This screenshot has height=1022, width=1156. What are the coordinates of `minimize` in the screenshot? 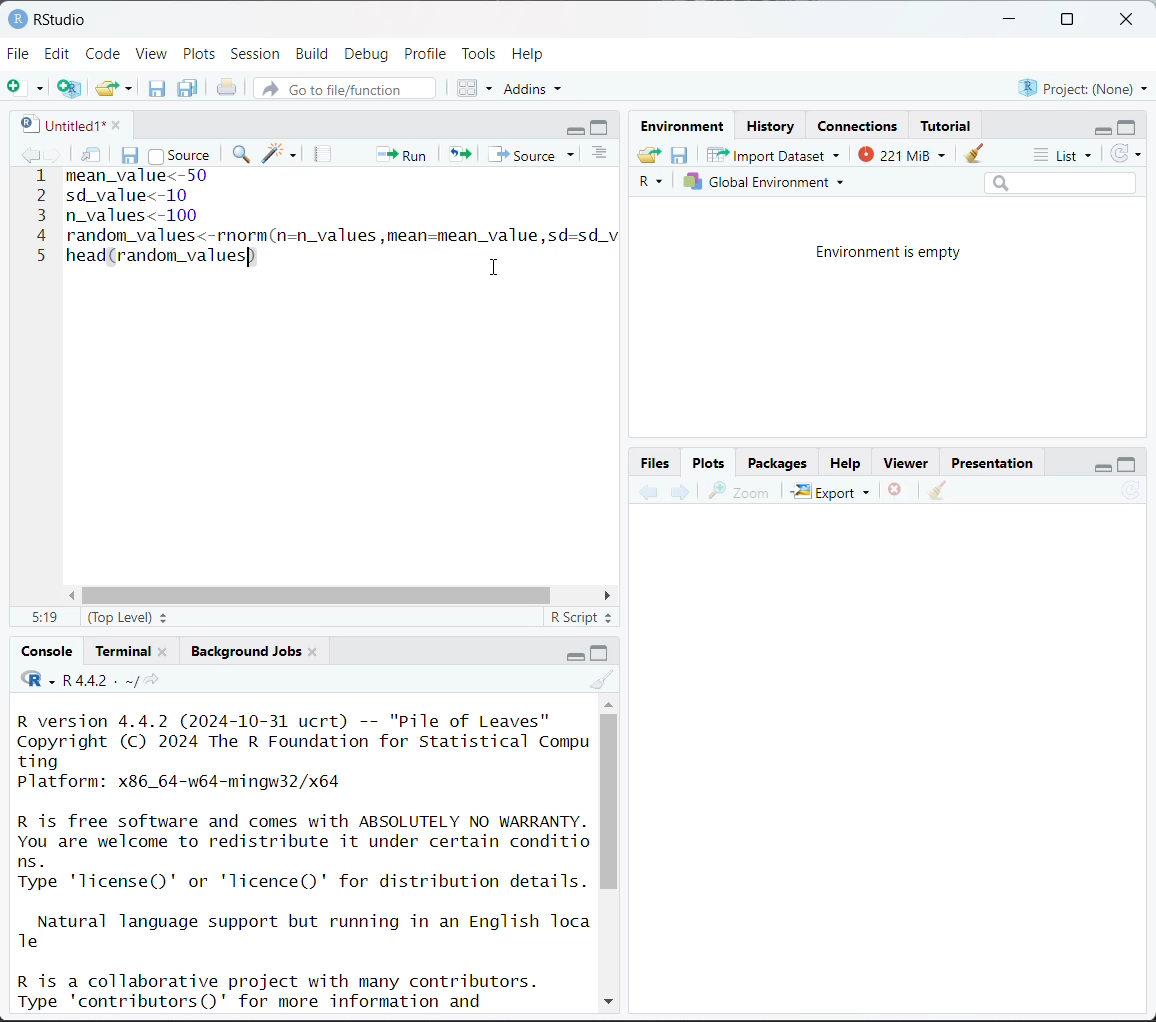 It's located at (1099, 464).